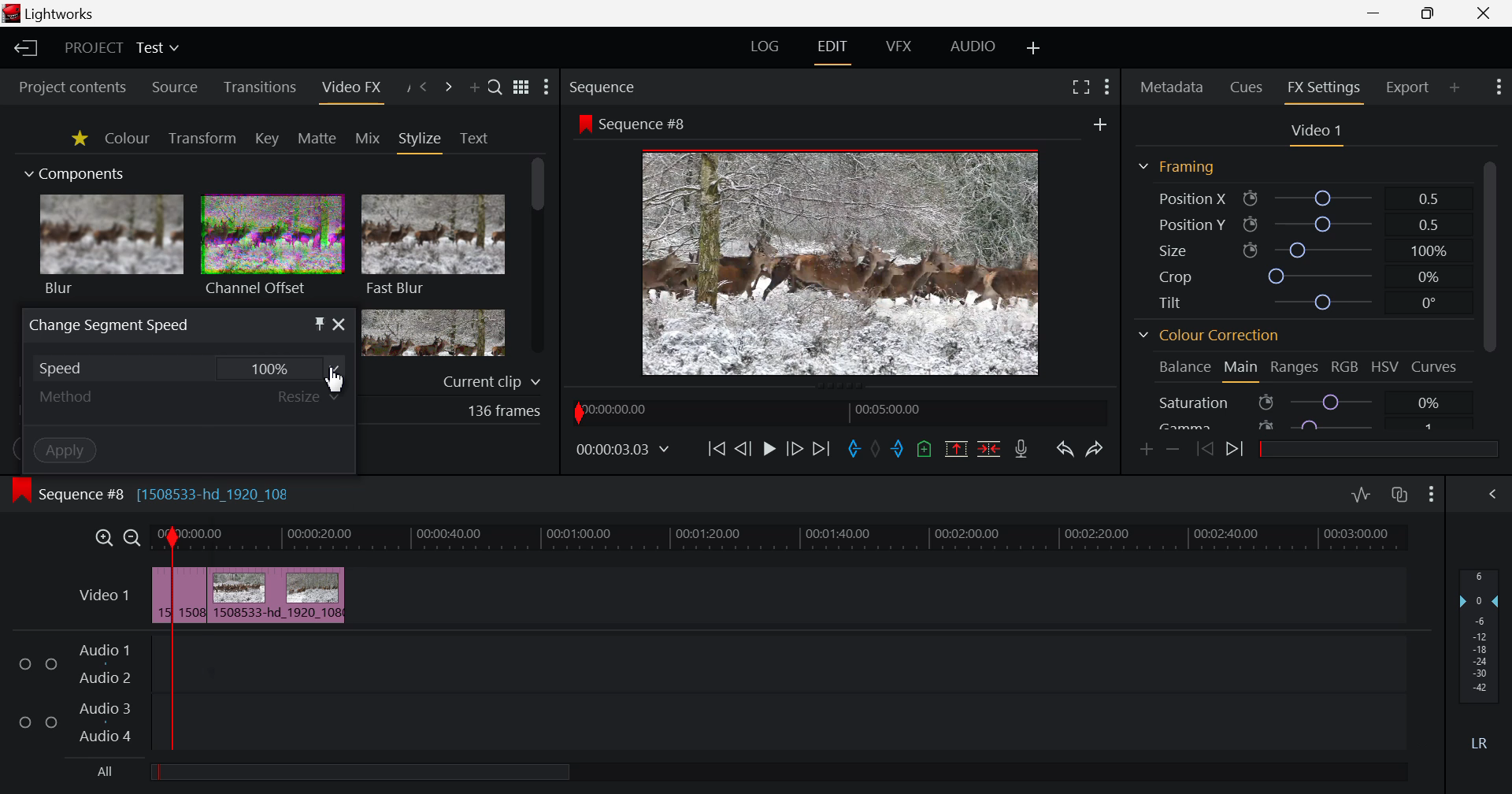 This screenshot has width=1512, height=794. I want to click on All, so click(342, 773).